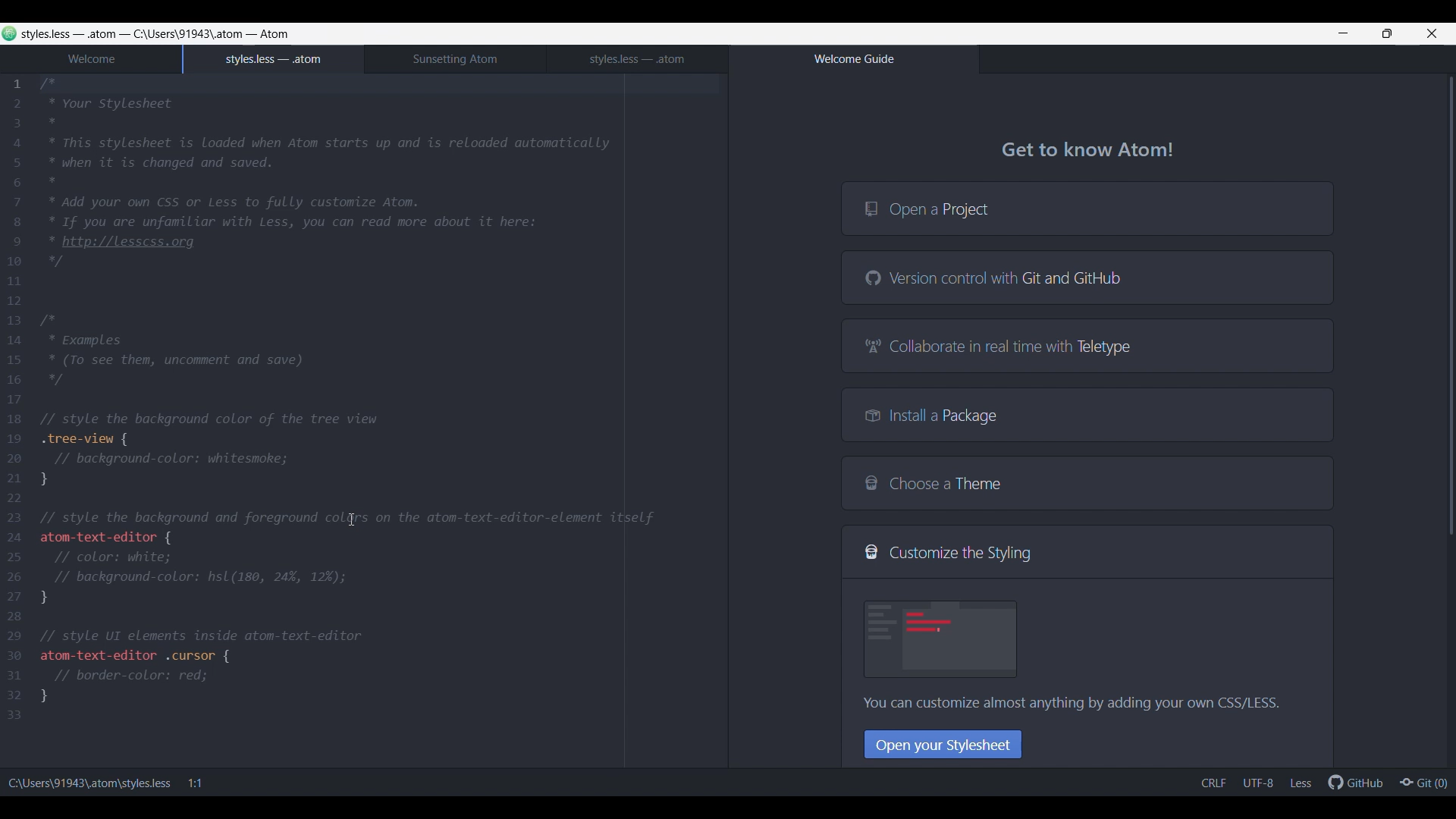  What do you see at coordinates (853, 59) in the screenshot?
I see `Welcome guide tab` at bounding box center [853, 59].